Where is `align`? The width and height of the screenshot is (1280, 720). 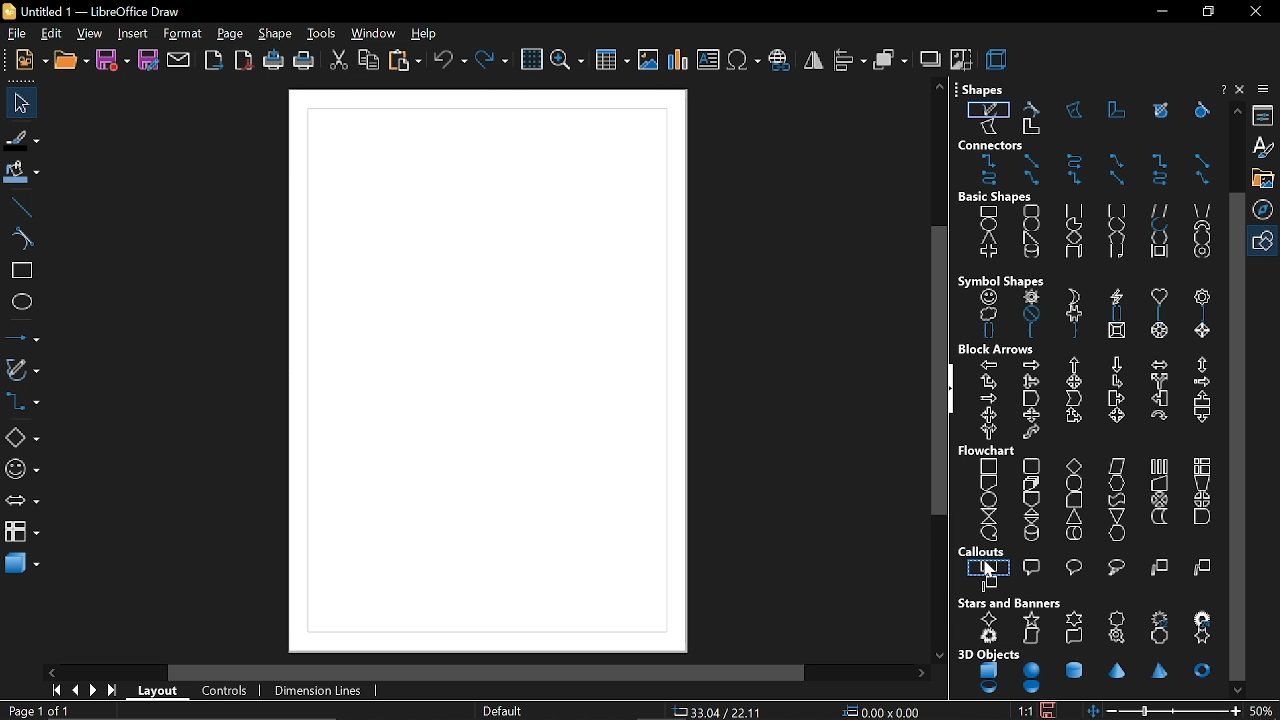 align is located at coordinates (848, 60).